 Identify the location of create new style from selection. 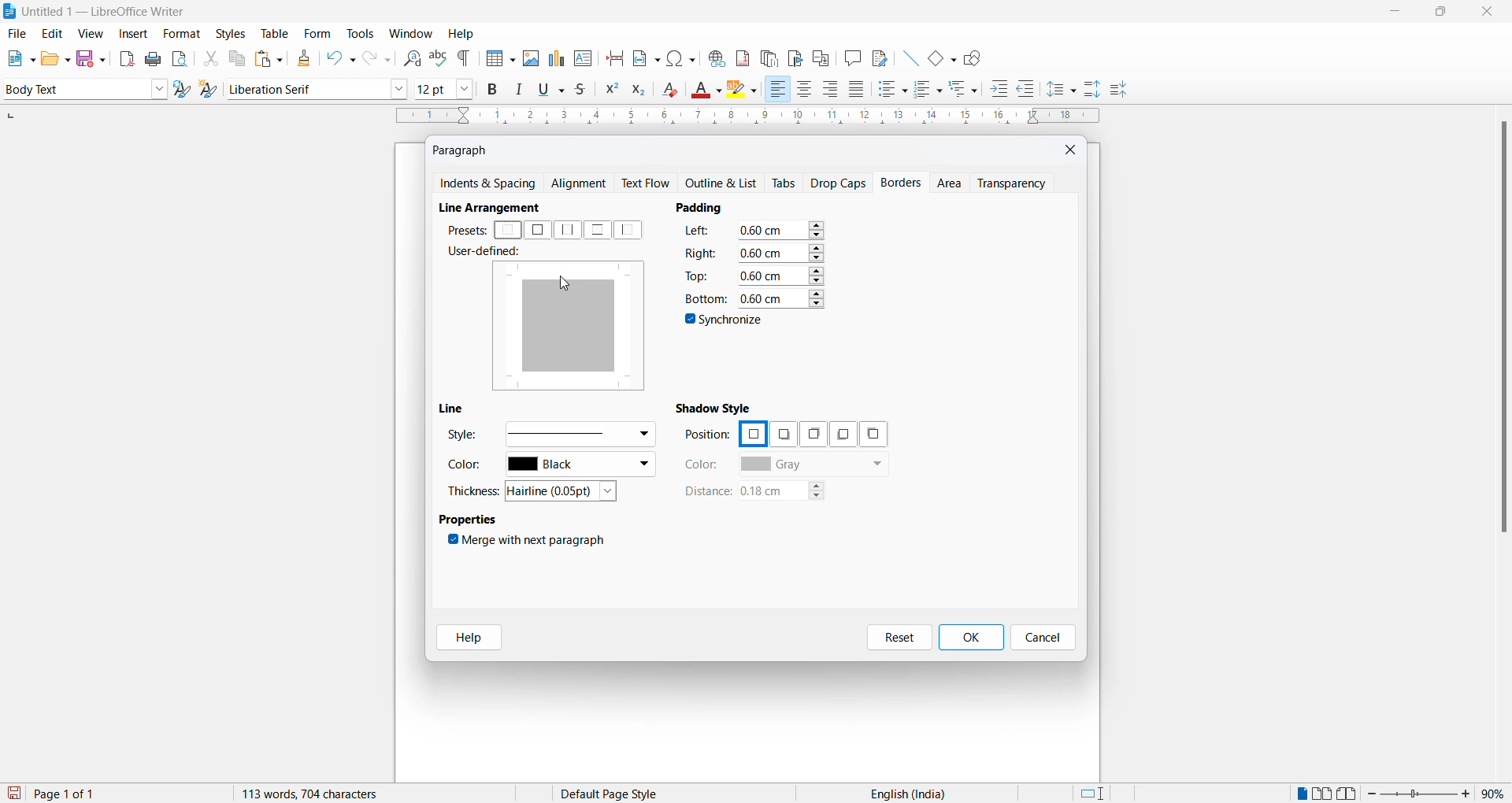
(212, 91).